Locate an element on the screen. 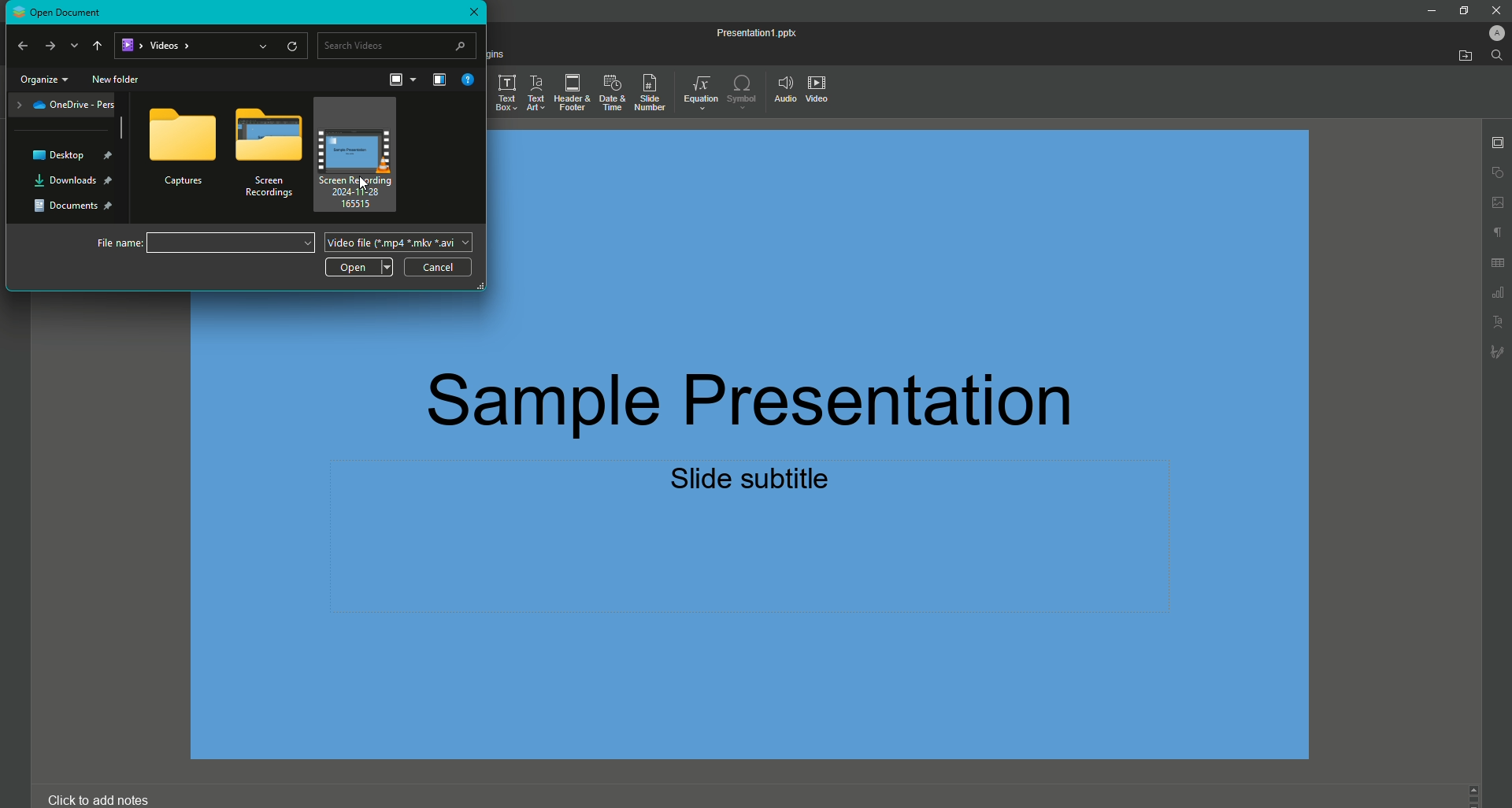 The height and width of the screenshot is (808, 1512). Search Bar is located at coordinates (399, 45).